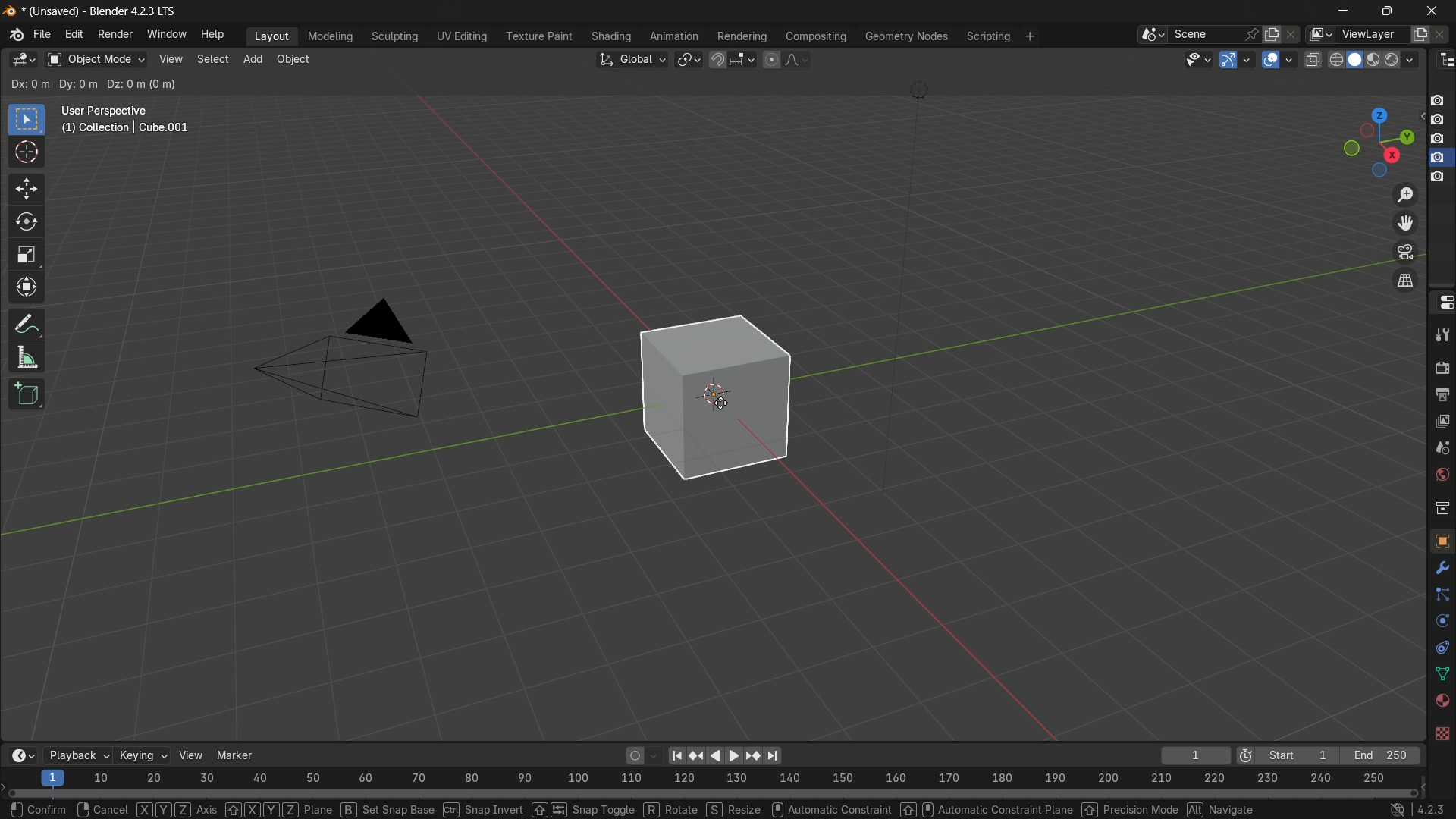 Image resolution: width=1456 pixels, height=819 pixels. Describe the element at coordinates (1249, 59) in the screenshot. I see `gizmos` at that location.